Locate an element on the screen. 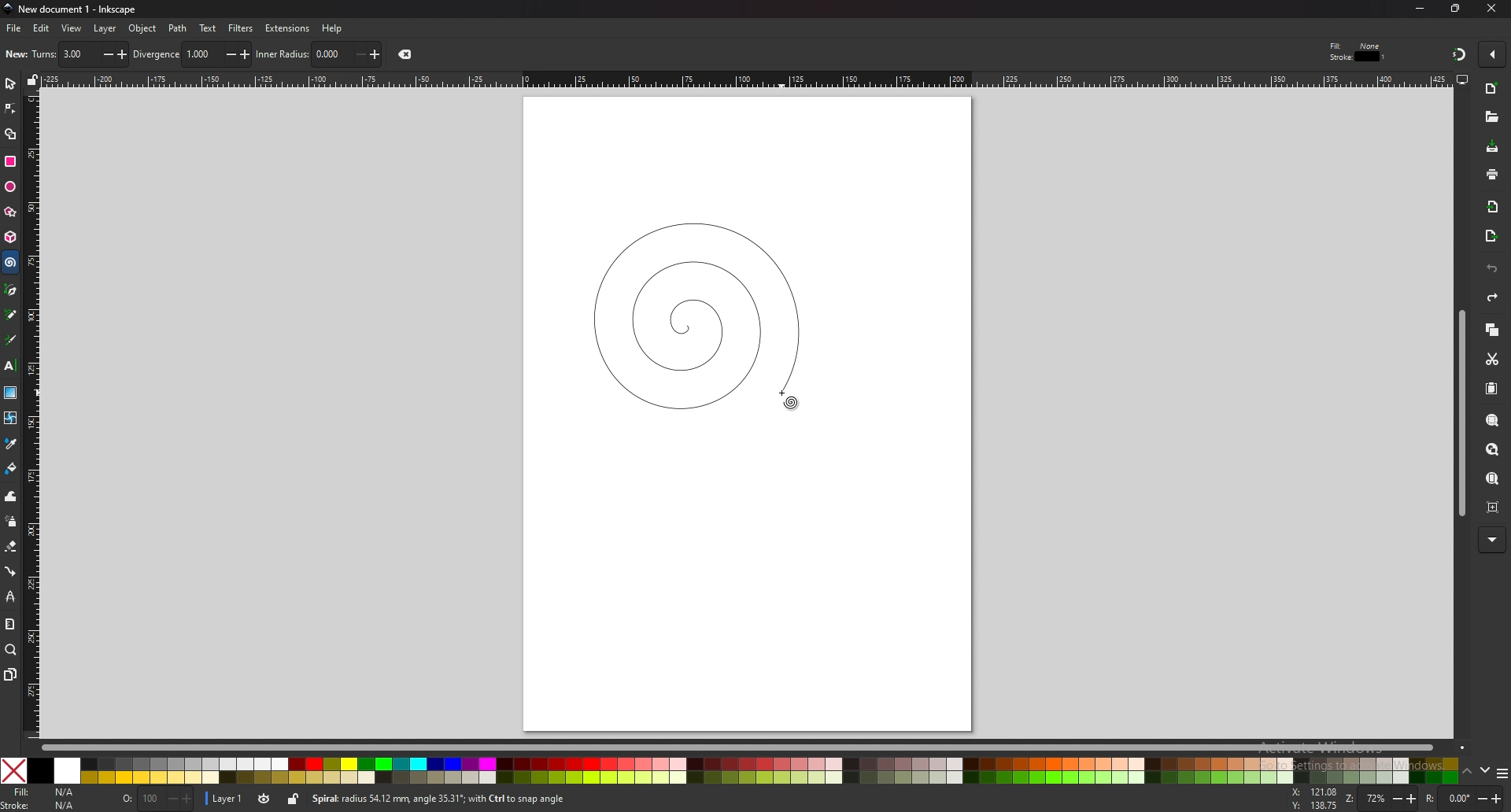 This screenshot has height=812, width=1511. toggle current layer visibility is located at coordinates (265, 799).